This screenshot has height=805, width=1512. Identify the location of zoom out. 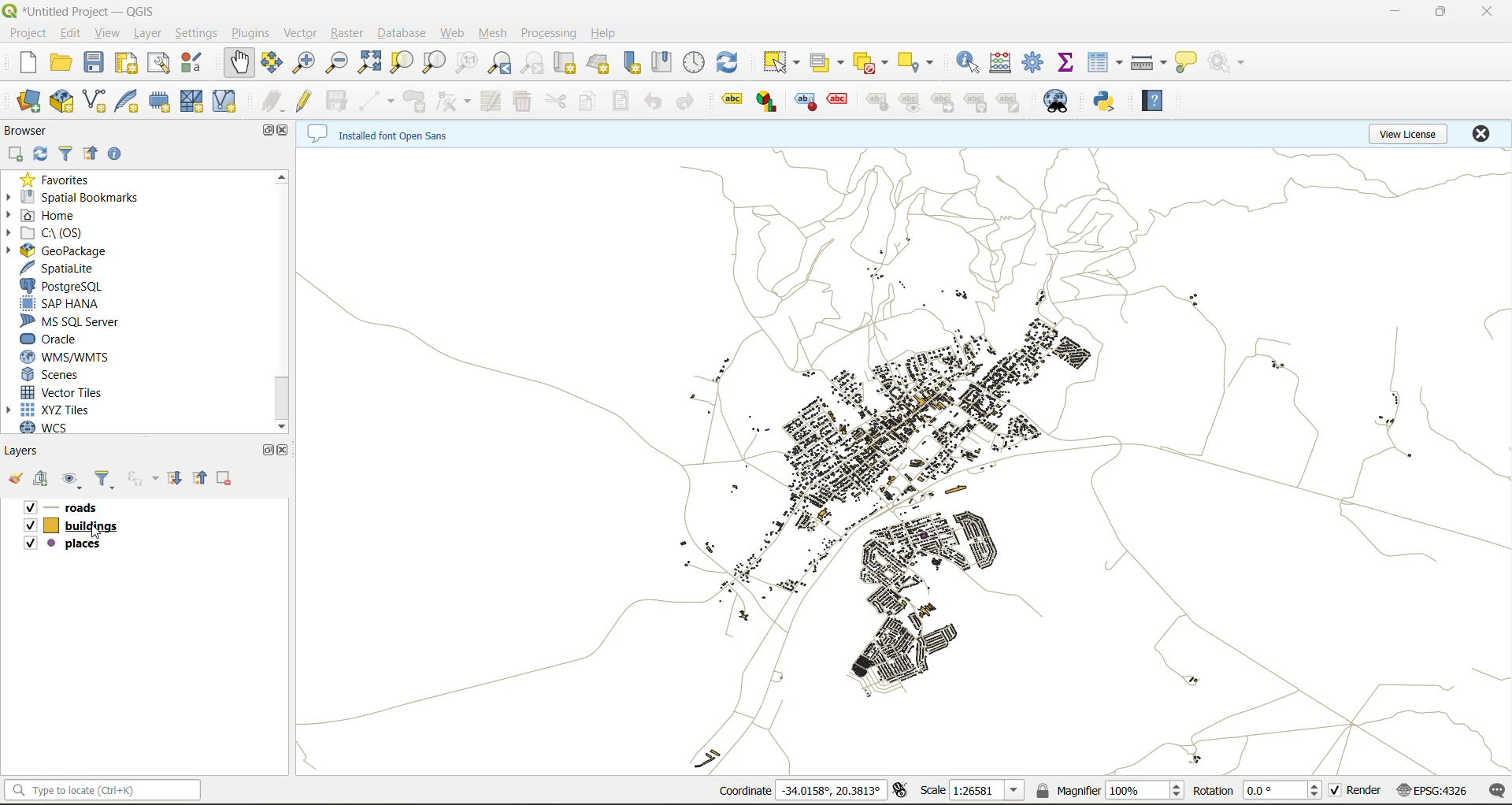
(339, 65).